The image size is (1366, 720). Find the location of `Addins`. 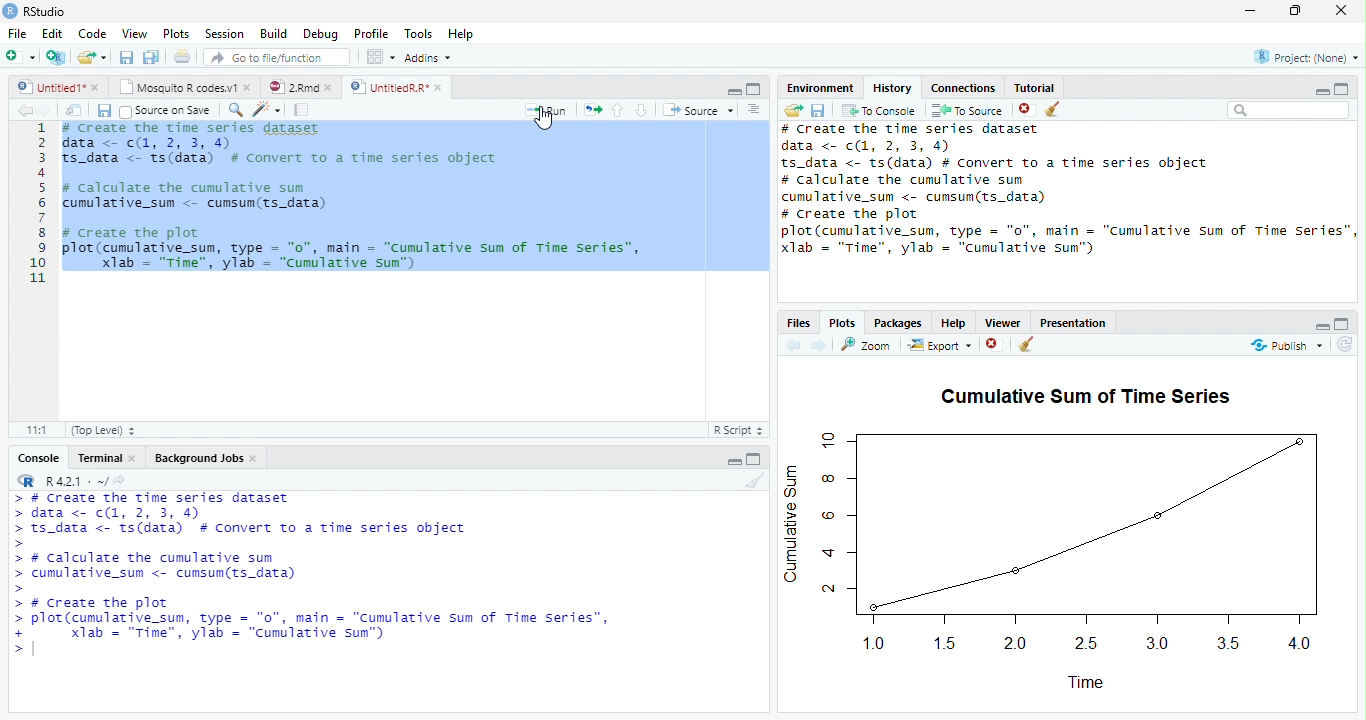

Addins is located at coordinates (430, 60).